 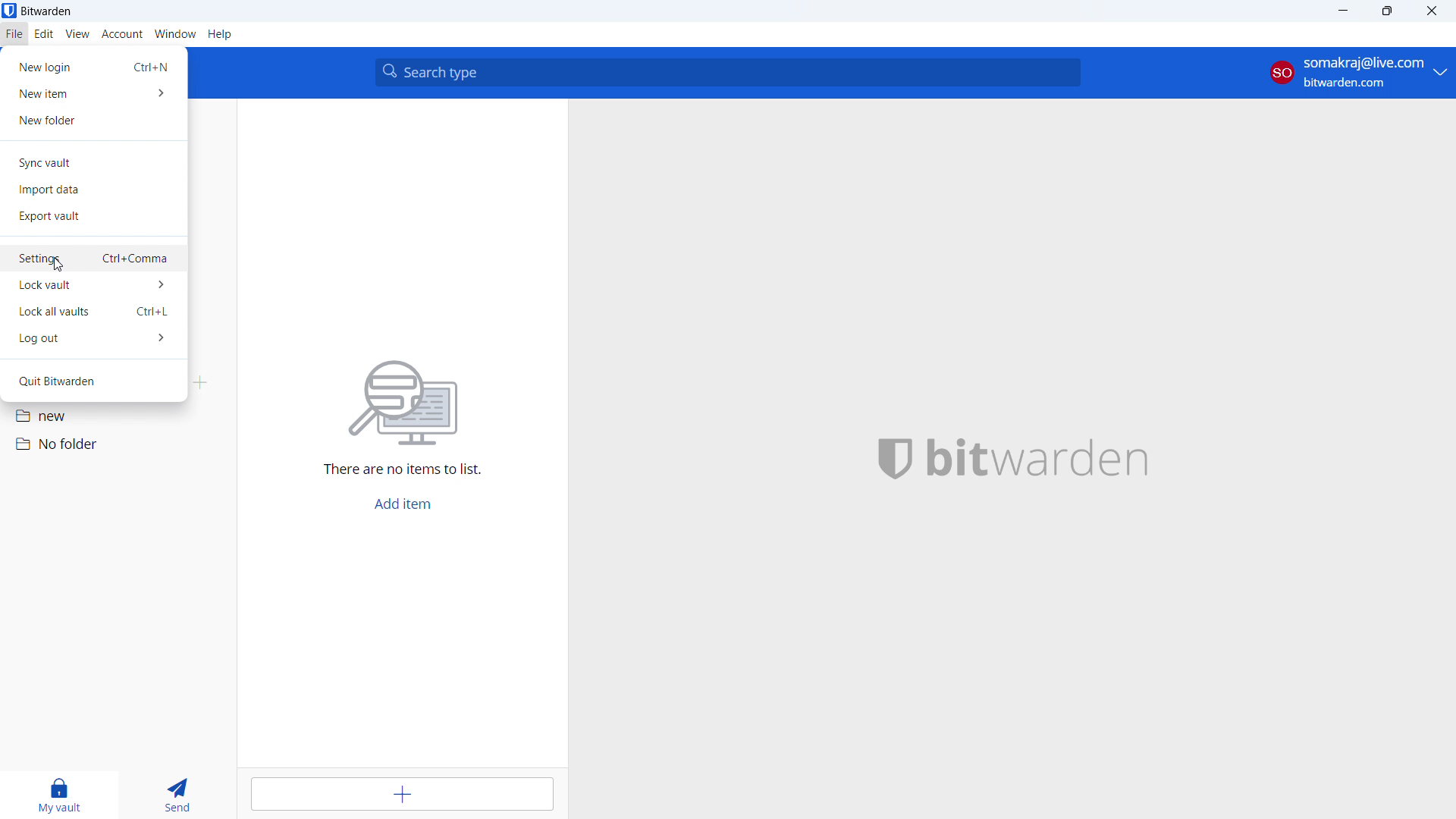 What do you see at coordinates (58, 795) in the screenshot?
I see `my vault` at bounding box center [58, 795].